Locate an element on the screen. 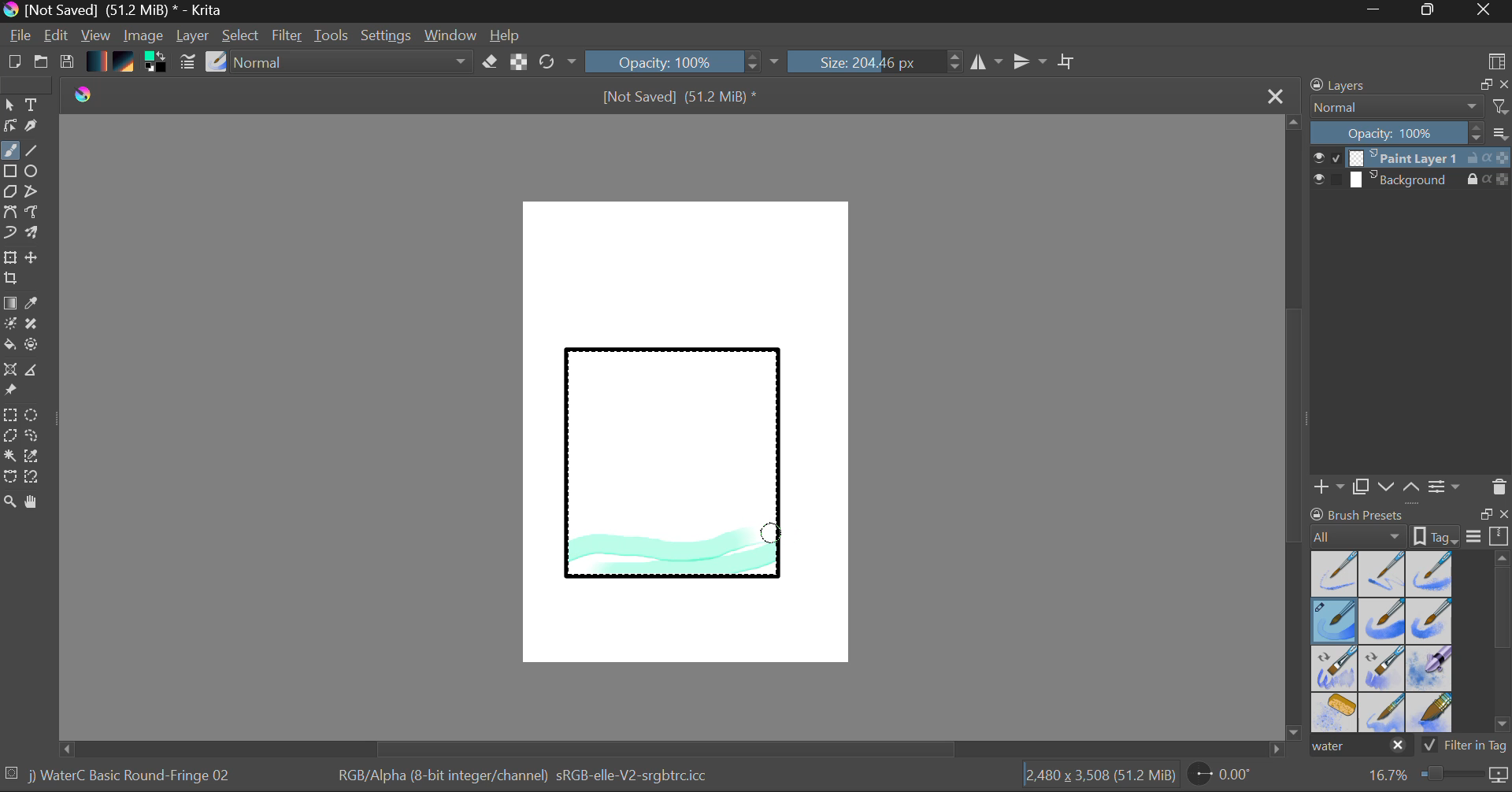  Move Layer Up is located at coordinates (1412, 486).